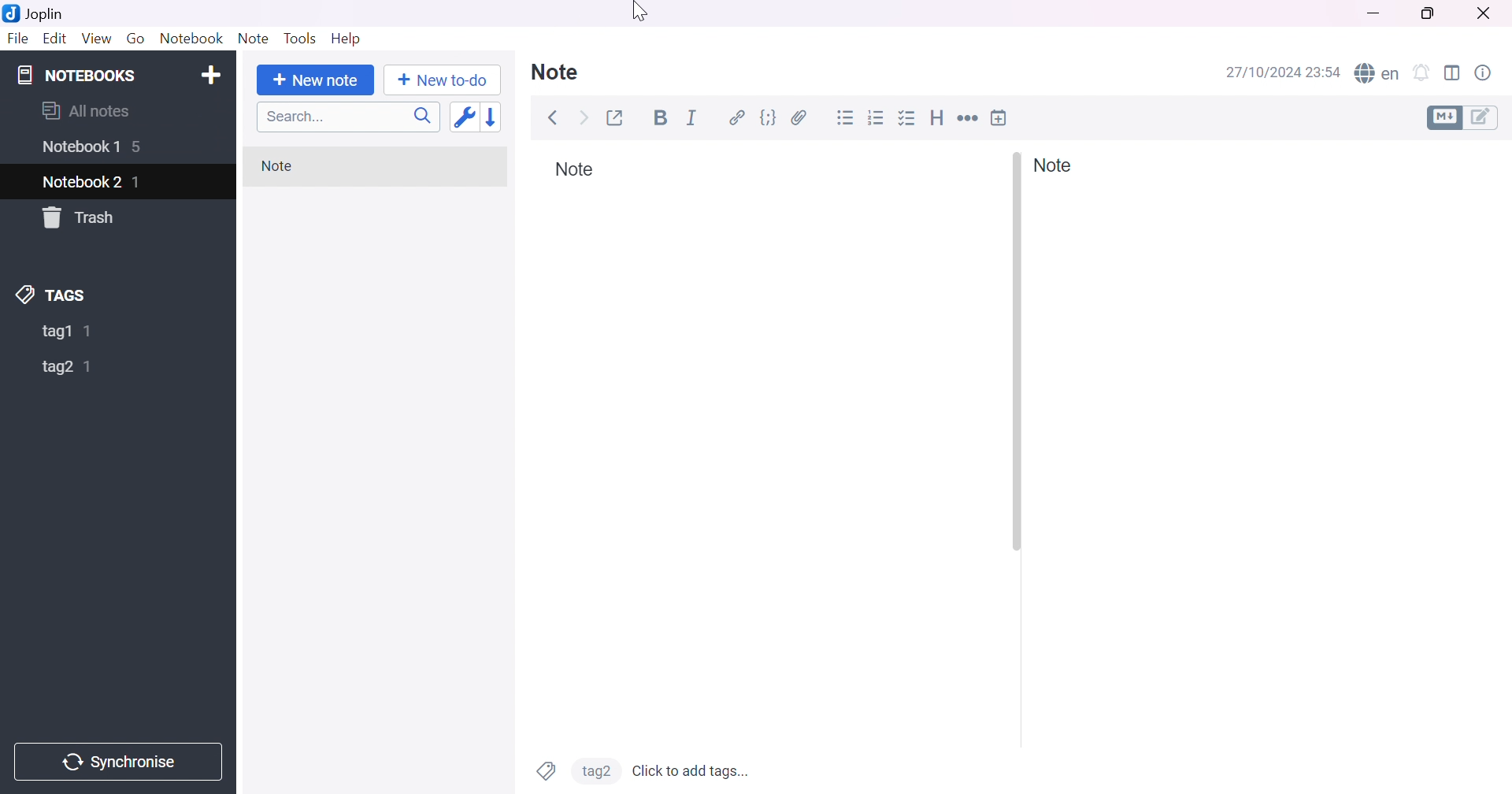 The height and width of the screenshot is (794, 1512). What do you see at coordinates (298, 38) in the screenshot?
I see `Tools` at bounding box center [298, 38].